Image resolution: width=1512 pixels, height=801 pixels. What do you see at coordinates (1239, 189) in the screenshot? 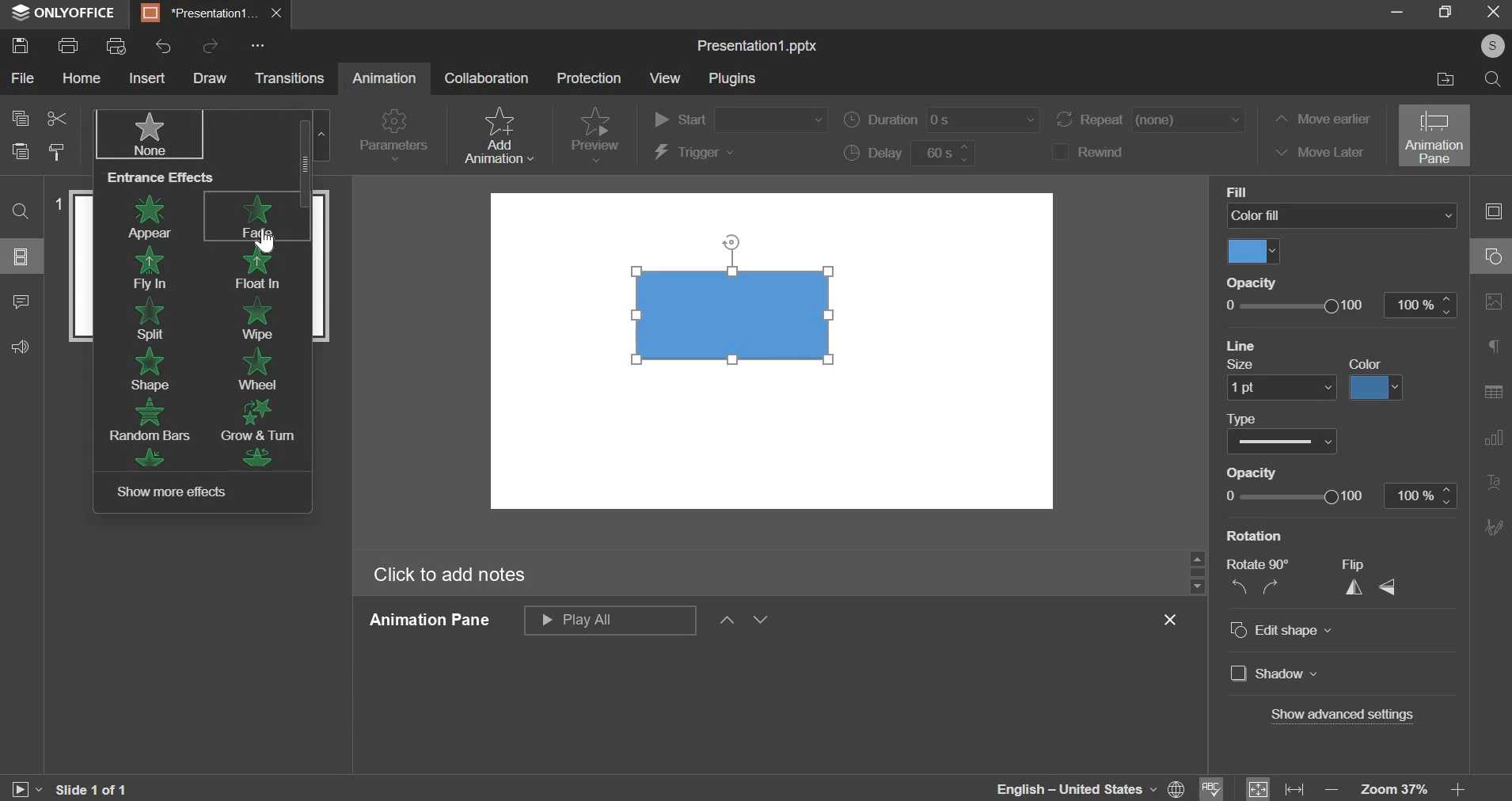
I see `Fill` at bounding box center [1239, 189].